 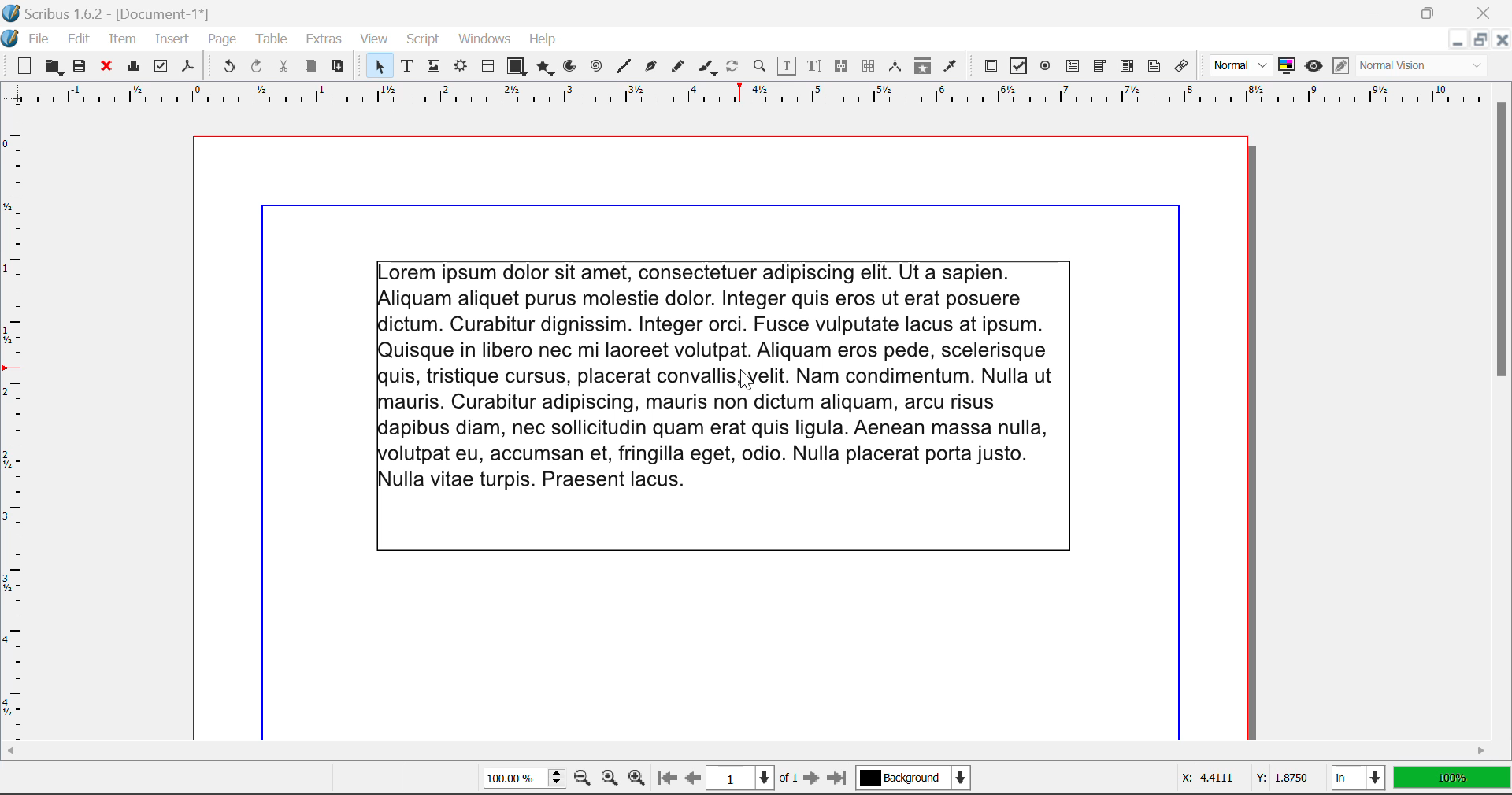 I want to click on Script, so click(x=424, y=39).